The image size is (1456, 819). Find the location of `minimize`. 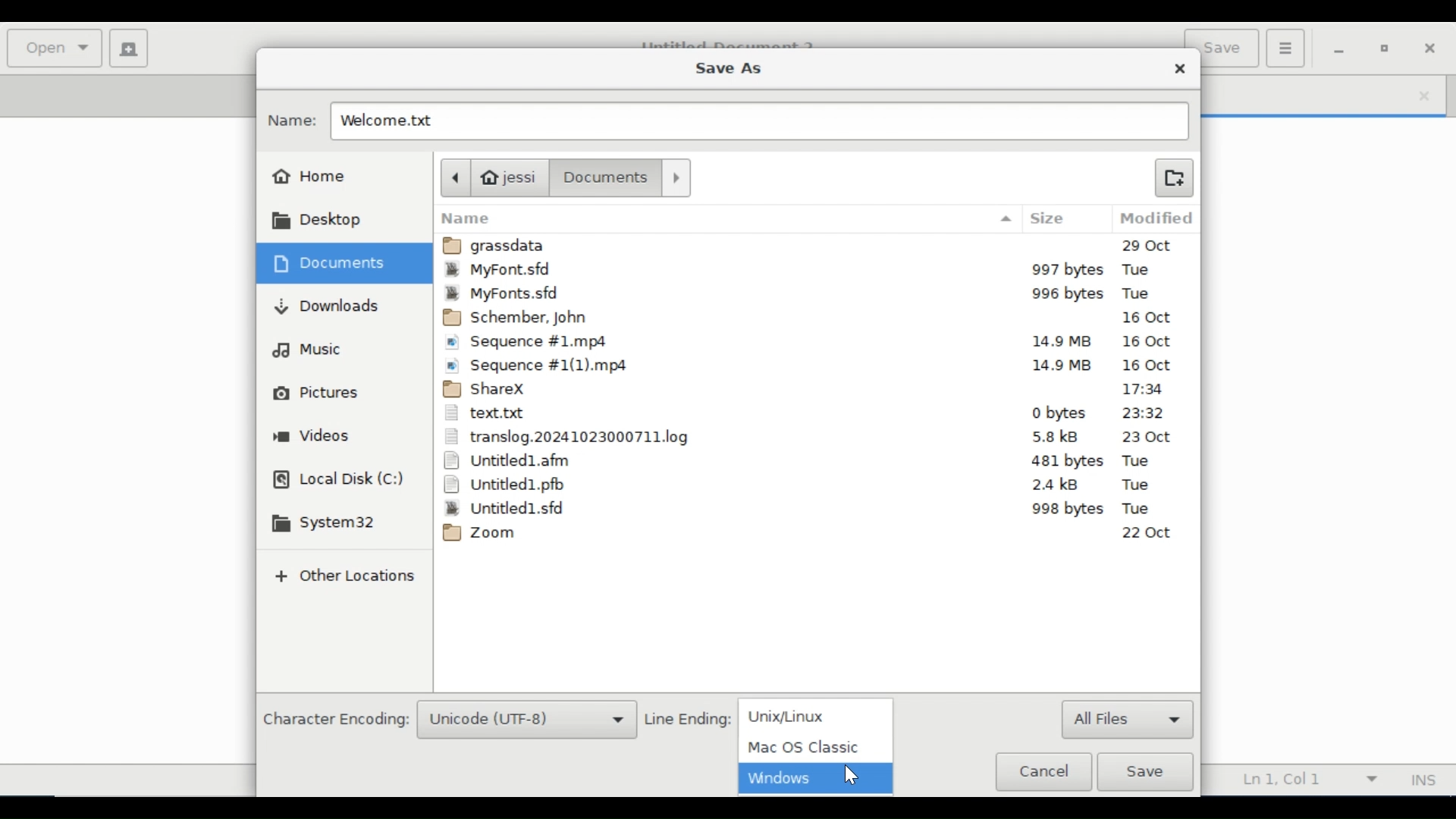

minimize is located at coordinates (1339, 50).